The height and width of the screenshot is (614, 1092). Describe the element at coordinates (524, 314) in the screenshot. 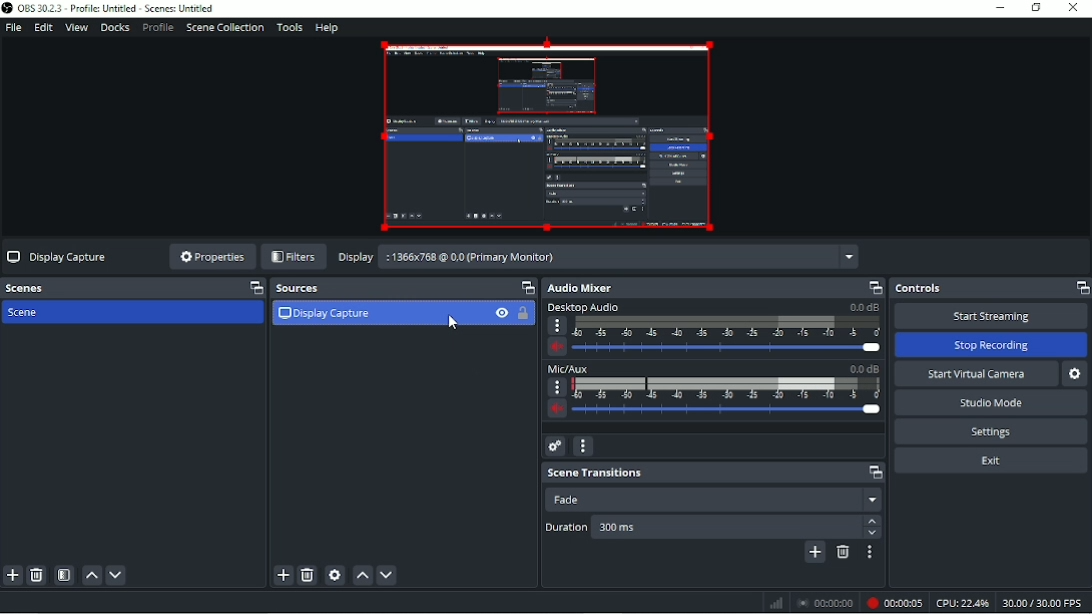

I see `Lock` at that location.